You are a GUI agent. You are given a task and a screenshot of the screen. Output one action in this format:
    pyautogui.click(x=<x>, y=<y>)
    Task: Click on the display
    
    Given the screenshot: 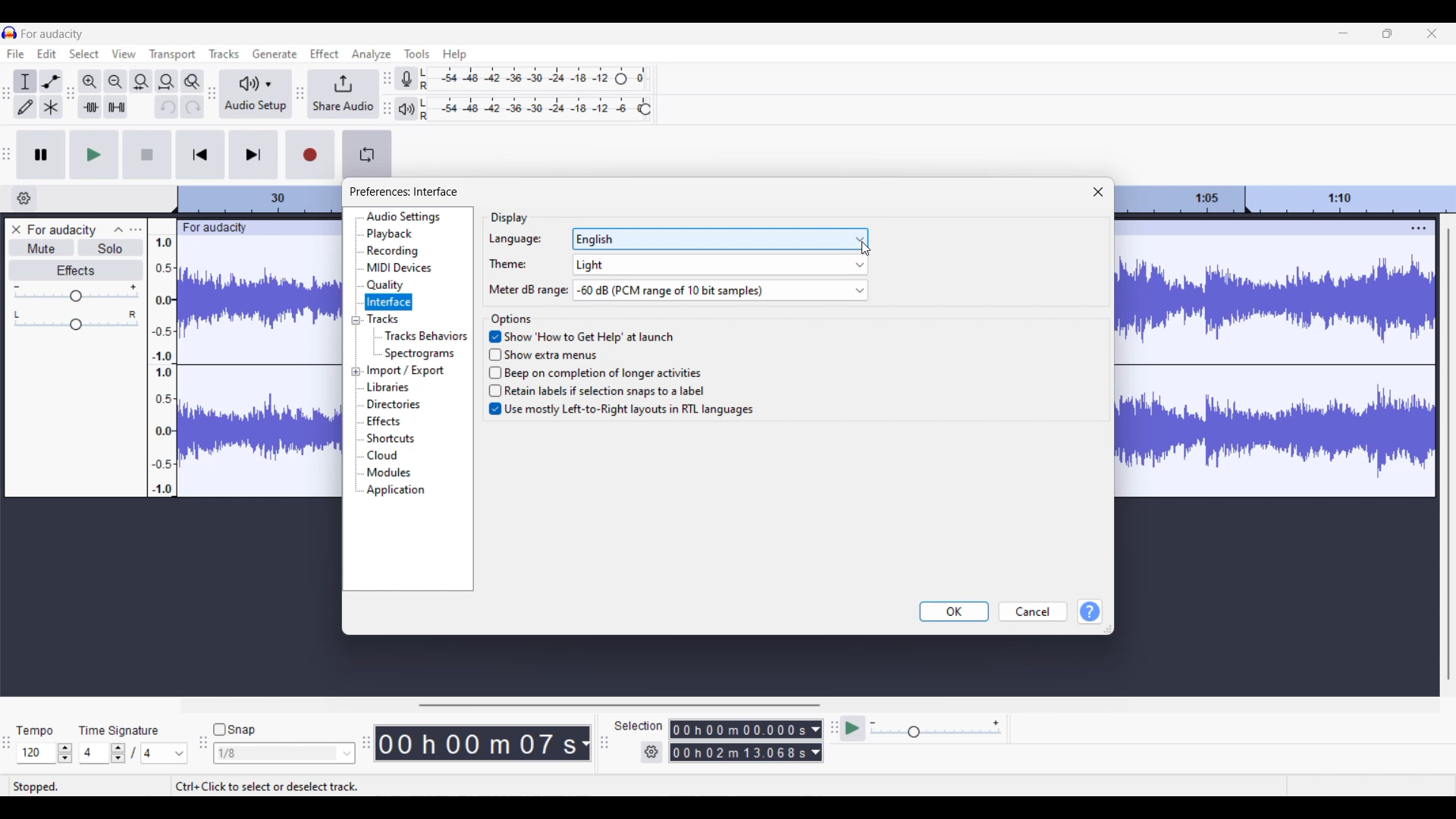 What is the action you would take?
    pyautogui.click(x=503, y=214)
    